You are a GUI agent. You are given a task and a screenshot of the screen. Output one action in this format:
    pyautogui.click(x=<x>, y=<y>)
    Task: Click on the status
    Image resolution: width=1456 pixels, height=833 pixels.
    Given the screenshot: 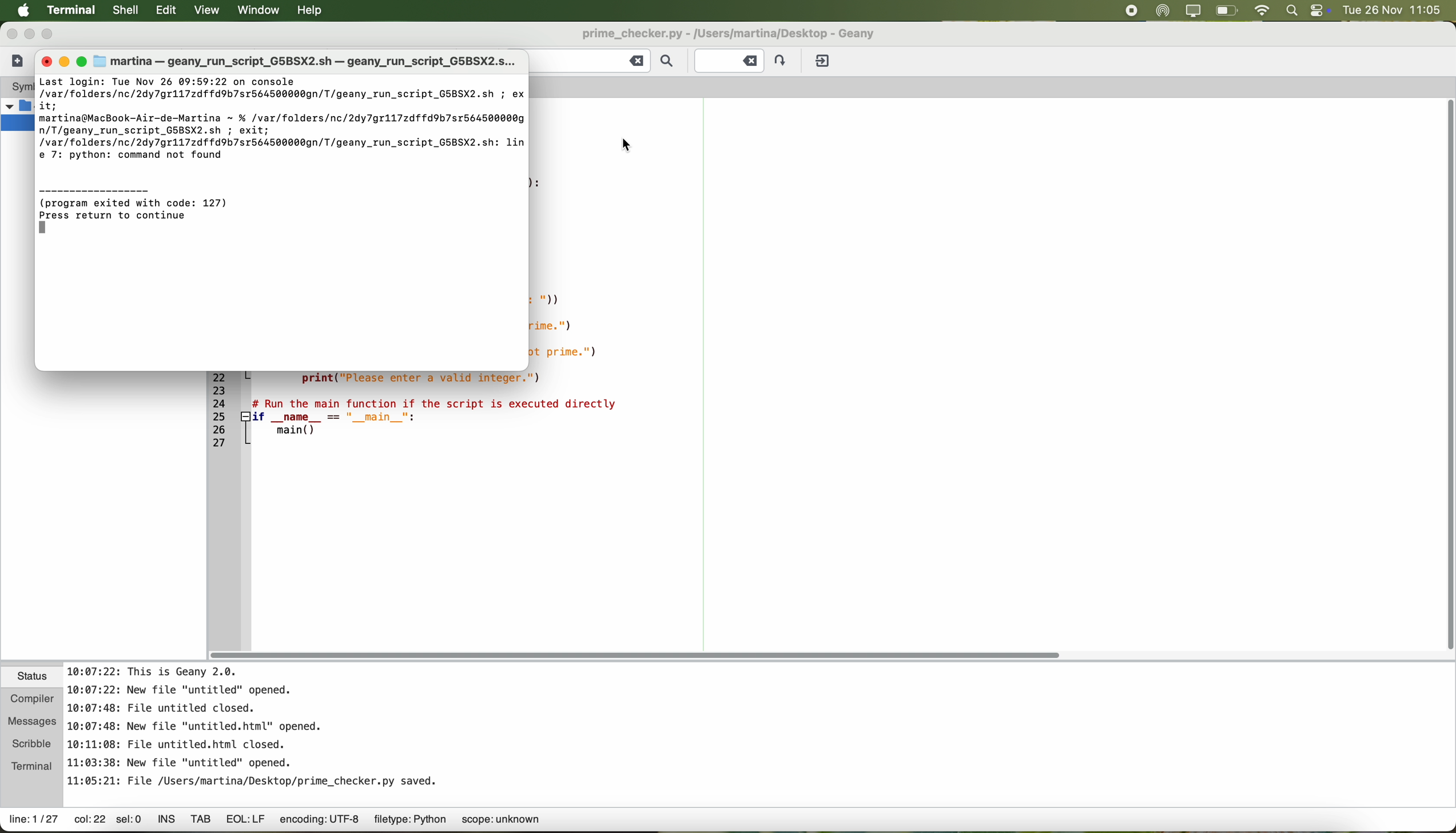 What is the action you would take?
    pyautogui.click(x=33, y=677)
    